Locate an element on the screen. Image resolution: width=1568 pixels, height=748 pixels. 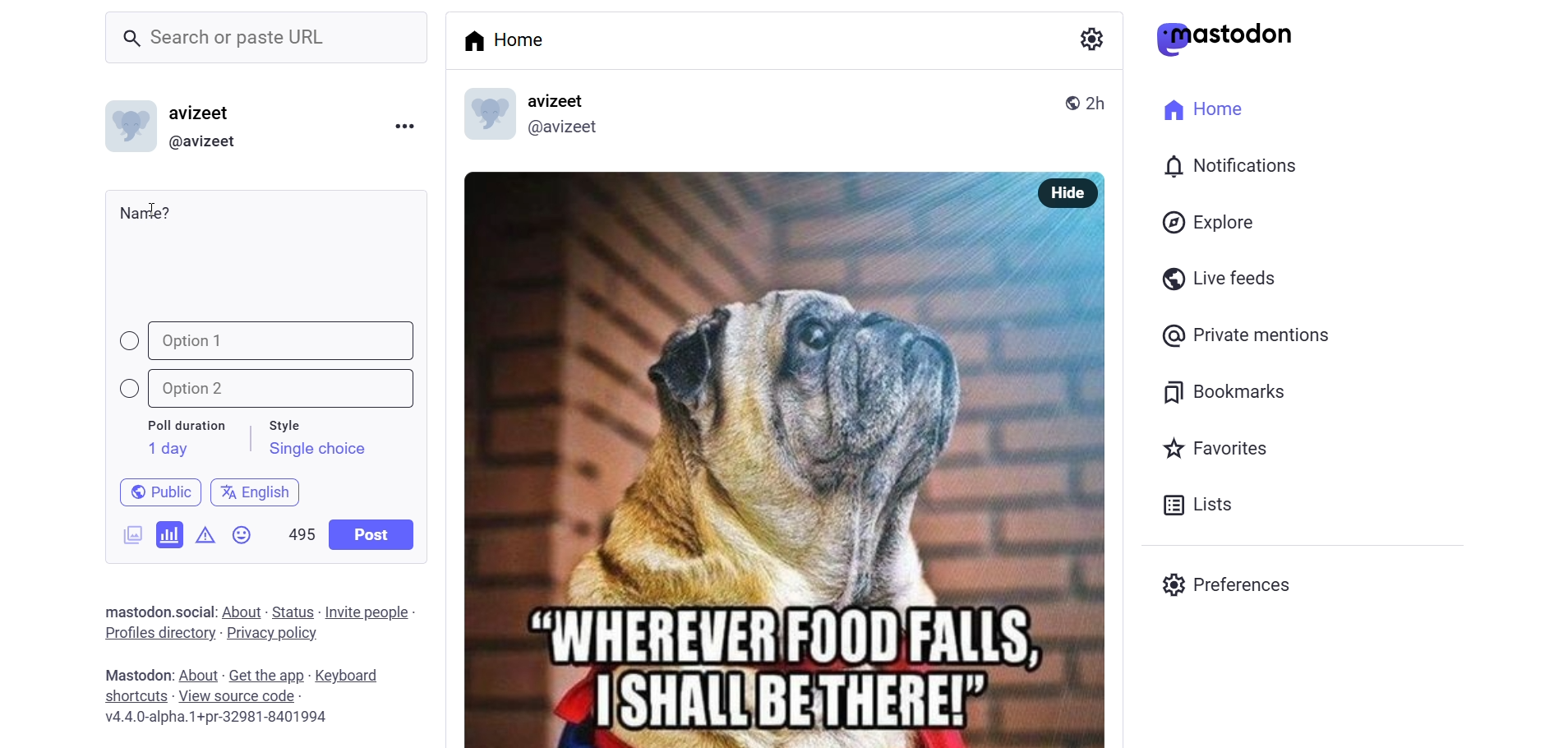
shortcuts is located at coordinates (135, 696).